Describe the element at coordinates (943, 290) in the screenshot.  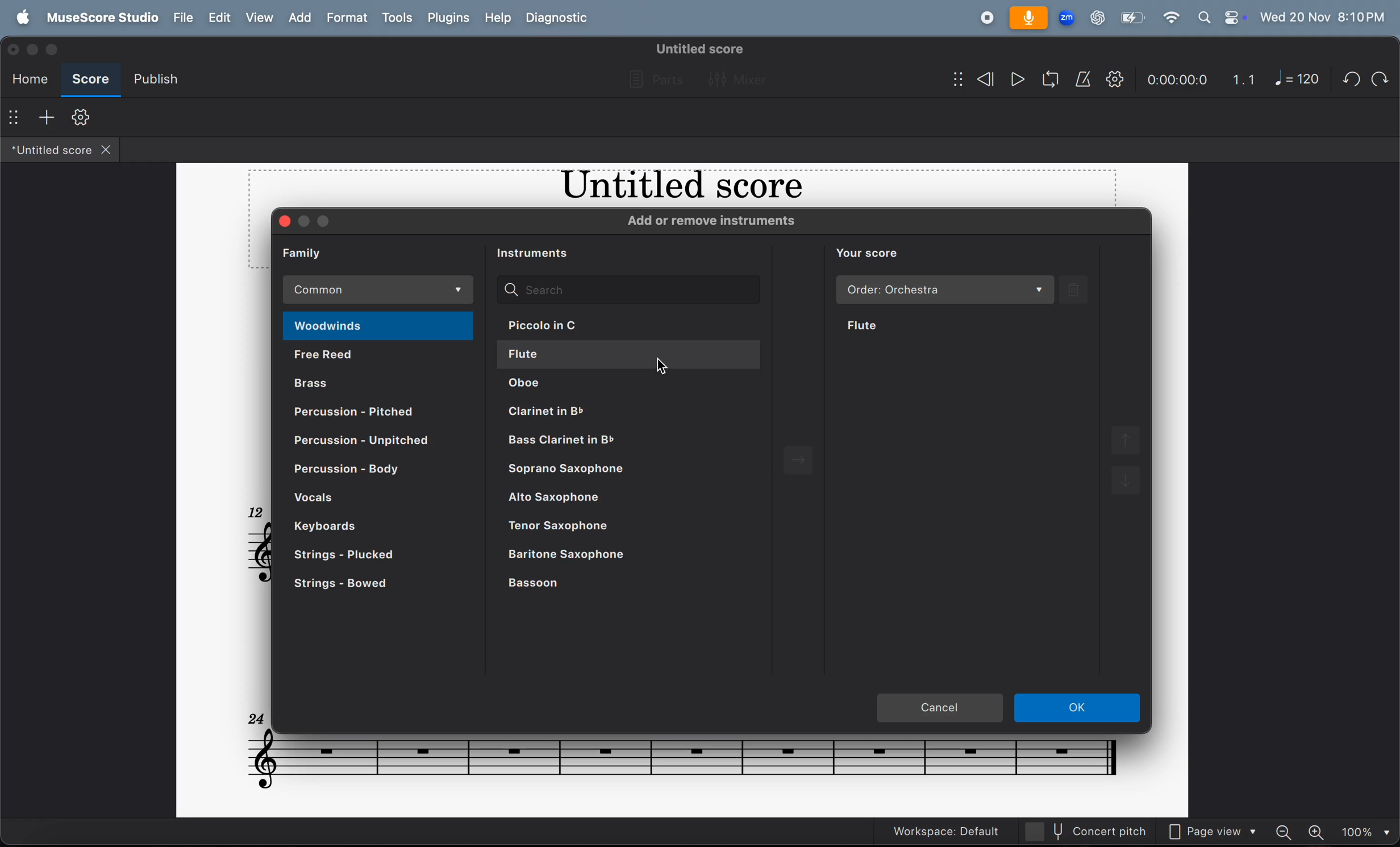
I see `order orchestra` at that location.